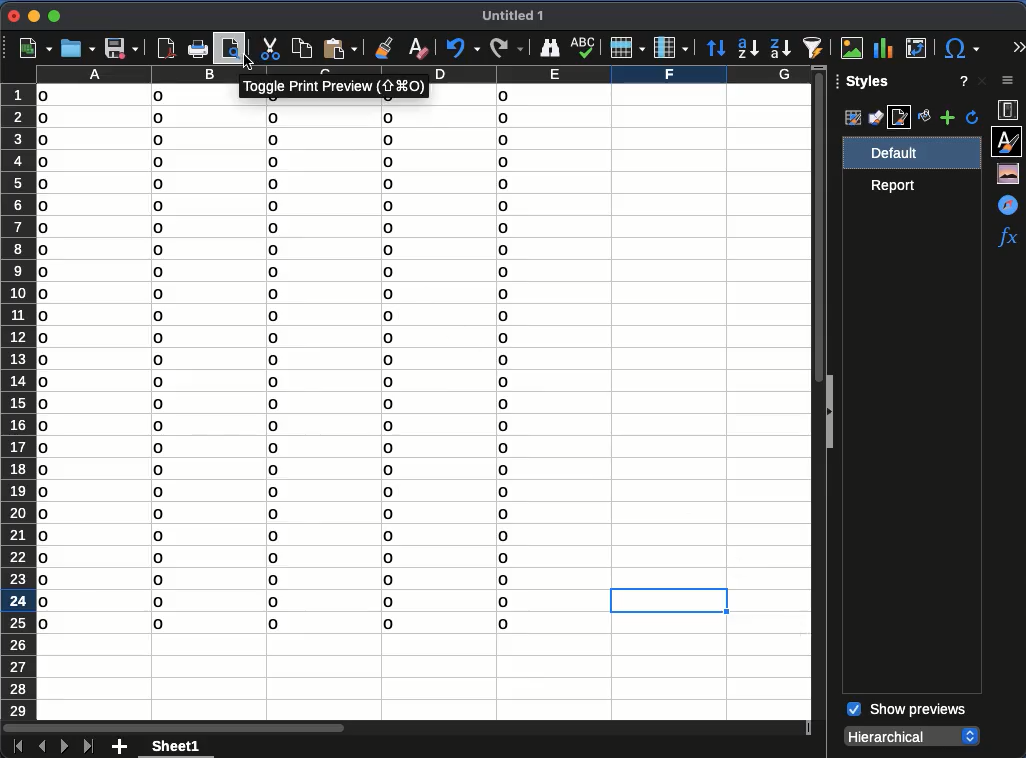  I want to click on open, so click(77, 48).